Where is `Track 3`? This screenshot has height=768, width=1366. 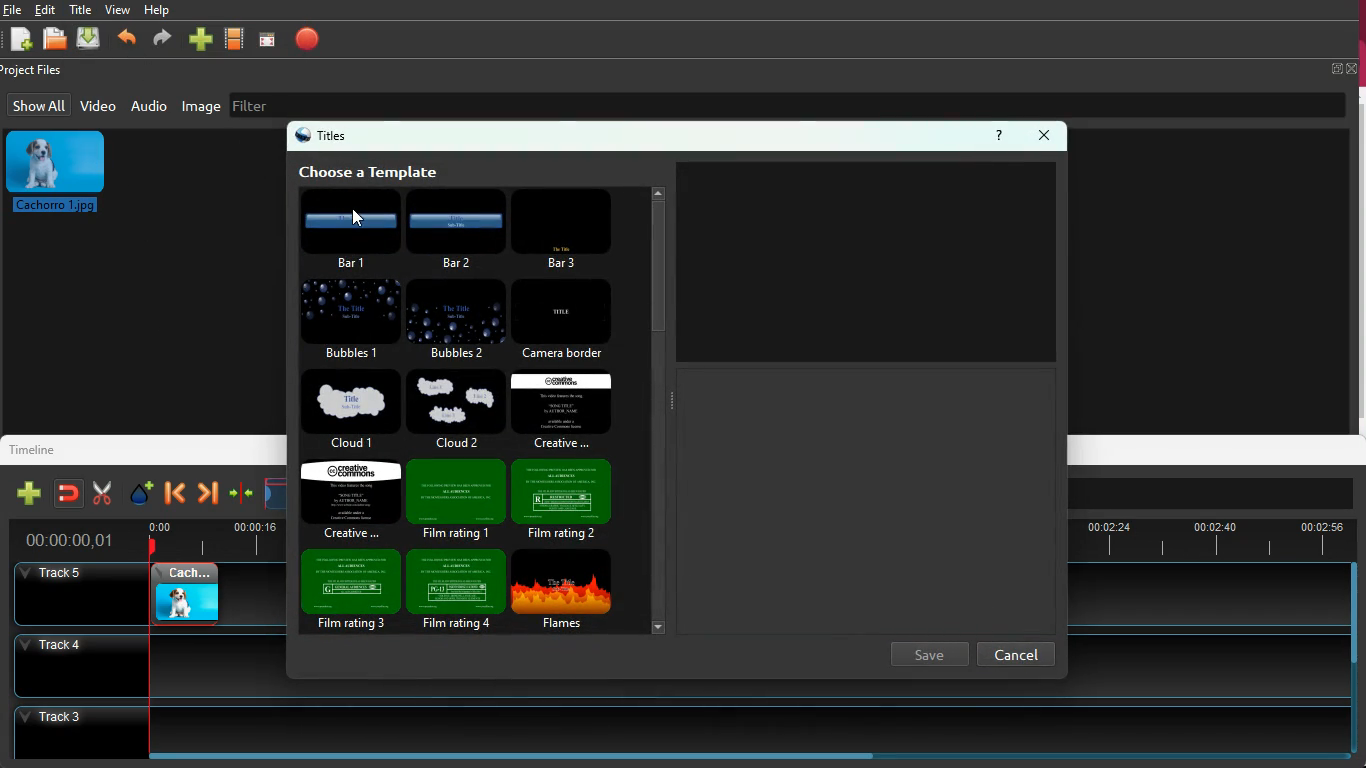
Track 3 is located at coordinates (675, 724).